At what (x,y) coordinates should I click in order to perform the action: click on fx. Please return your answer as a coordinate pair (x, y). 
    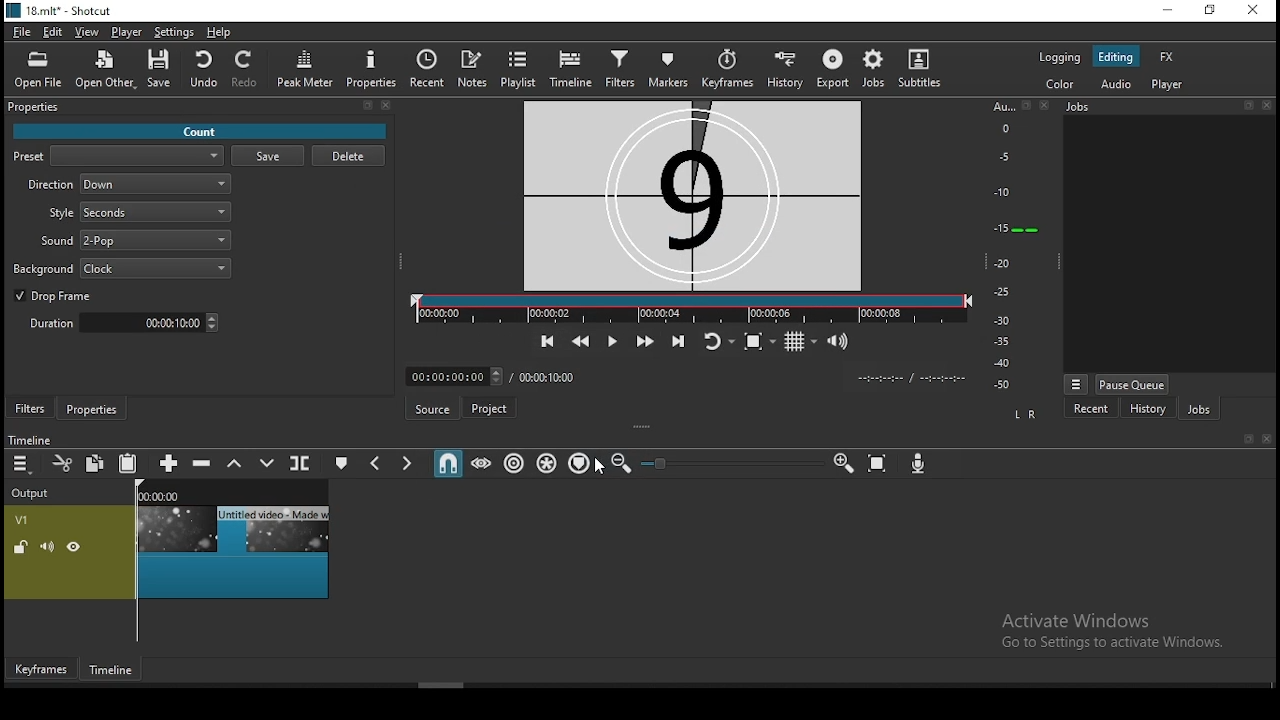
    Looking at the image, I should click on (1167, 56).